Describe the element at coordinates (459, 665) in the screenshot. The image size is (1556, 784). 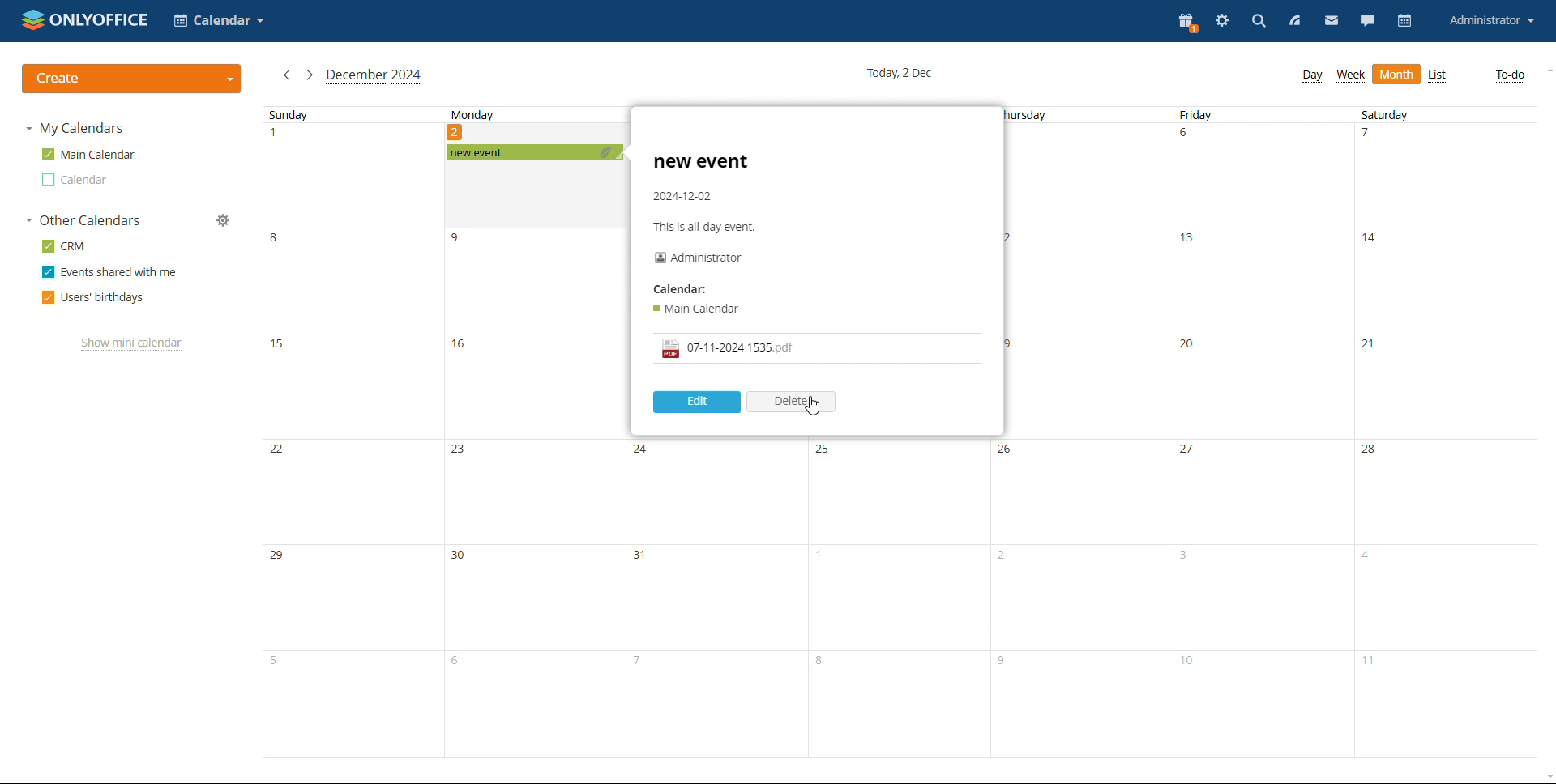
I see `6` at that location.